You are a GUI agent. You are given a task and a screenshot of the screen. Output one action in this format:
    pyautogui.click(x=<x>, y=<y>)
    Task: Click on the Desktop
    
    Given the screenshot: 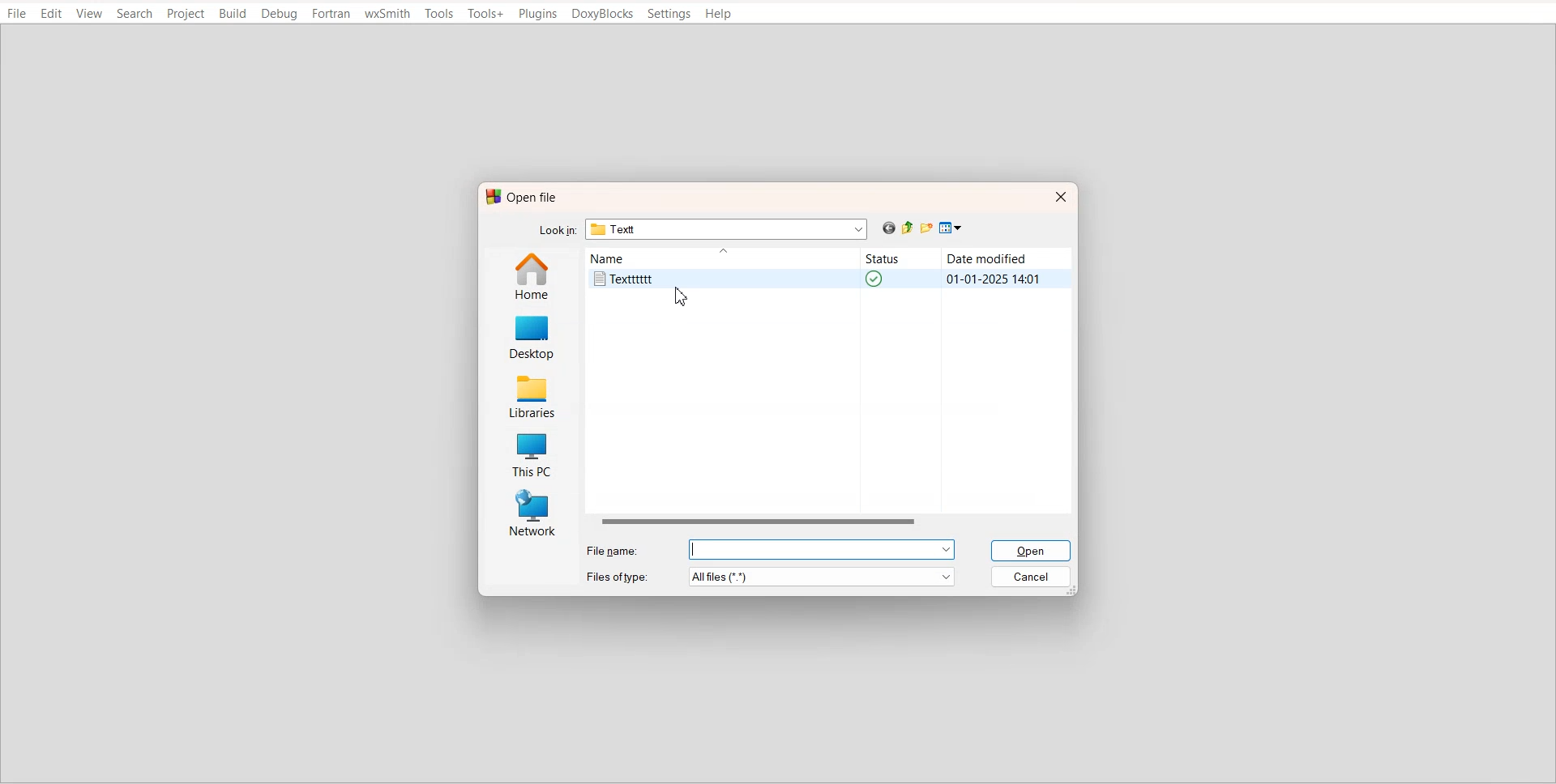 What is the action you would take?
    pyautogui.click(x=536, y=336)
    